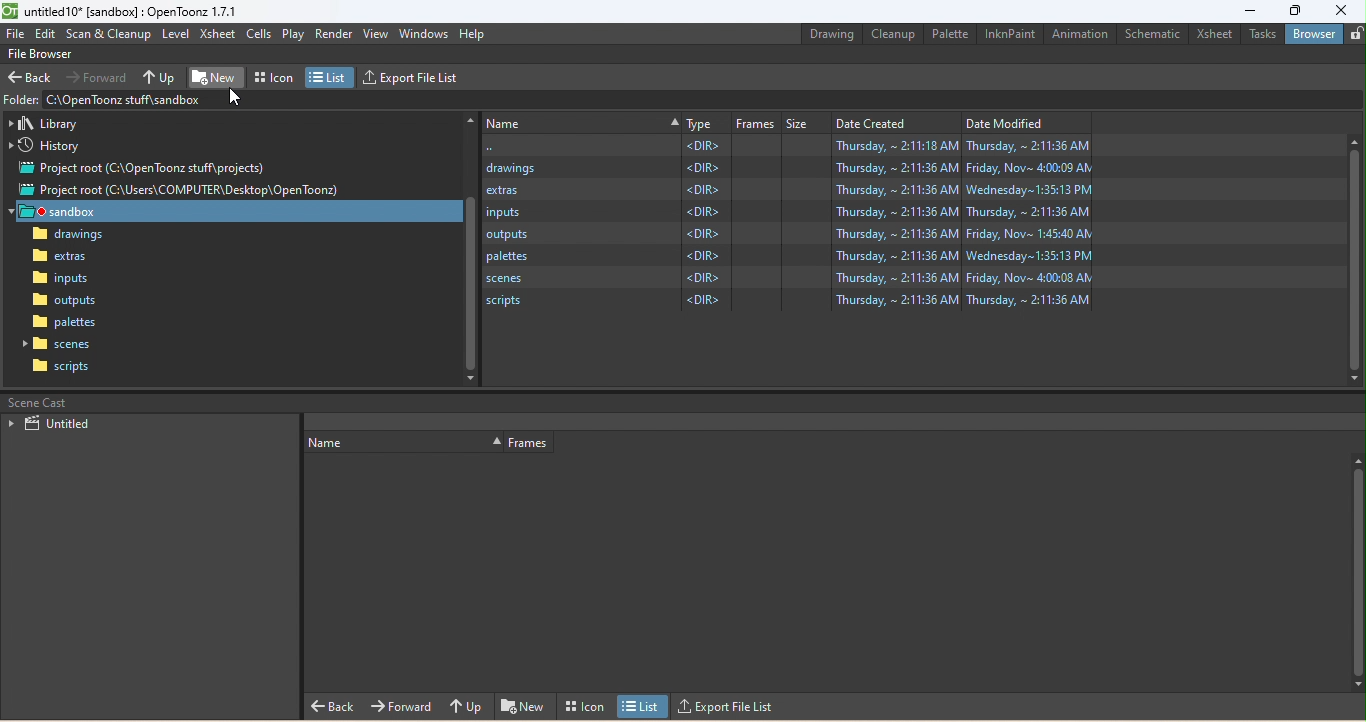 This screenshot has height=722, width=1366. I want to click on Forward, so click(97, 78).